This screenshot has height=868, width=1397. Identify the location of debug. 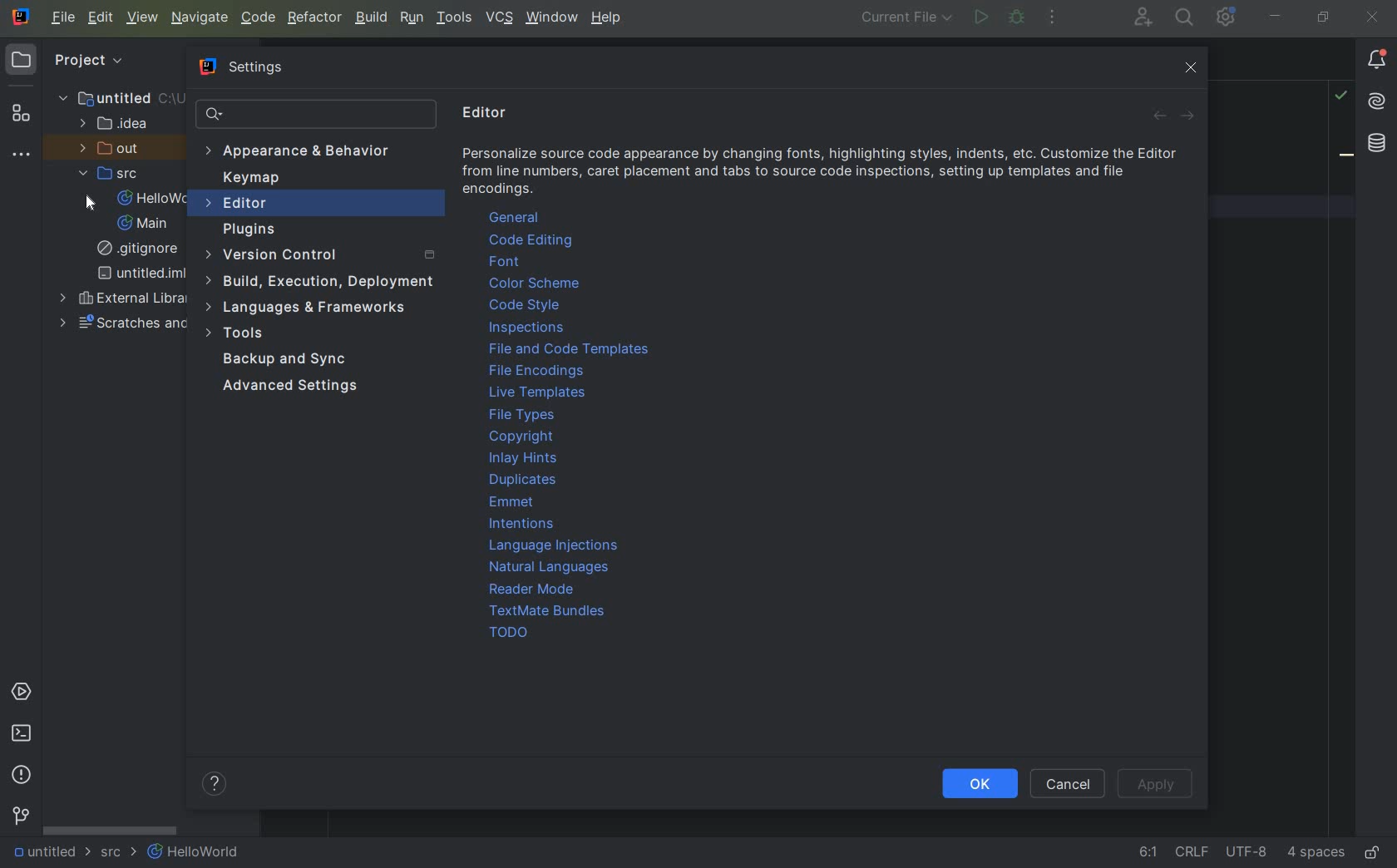
(1017, 17).